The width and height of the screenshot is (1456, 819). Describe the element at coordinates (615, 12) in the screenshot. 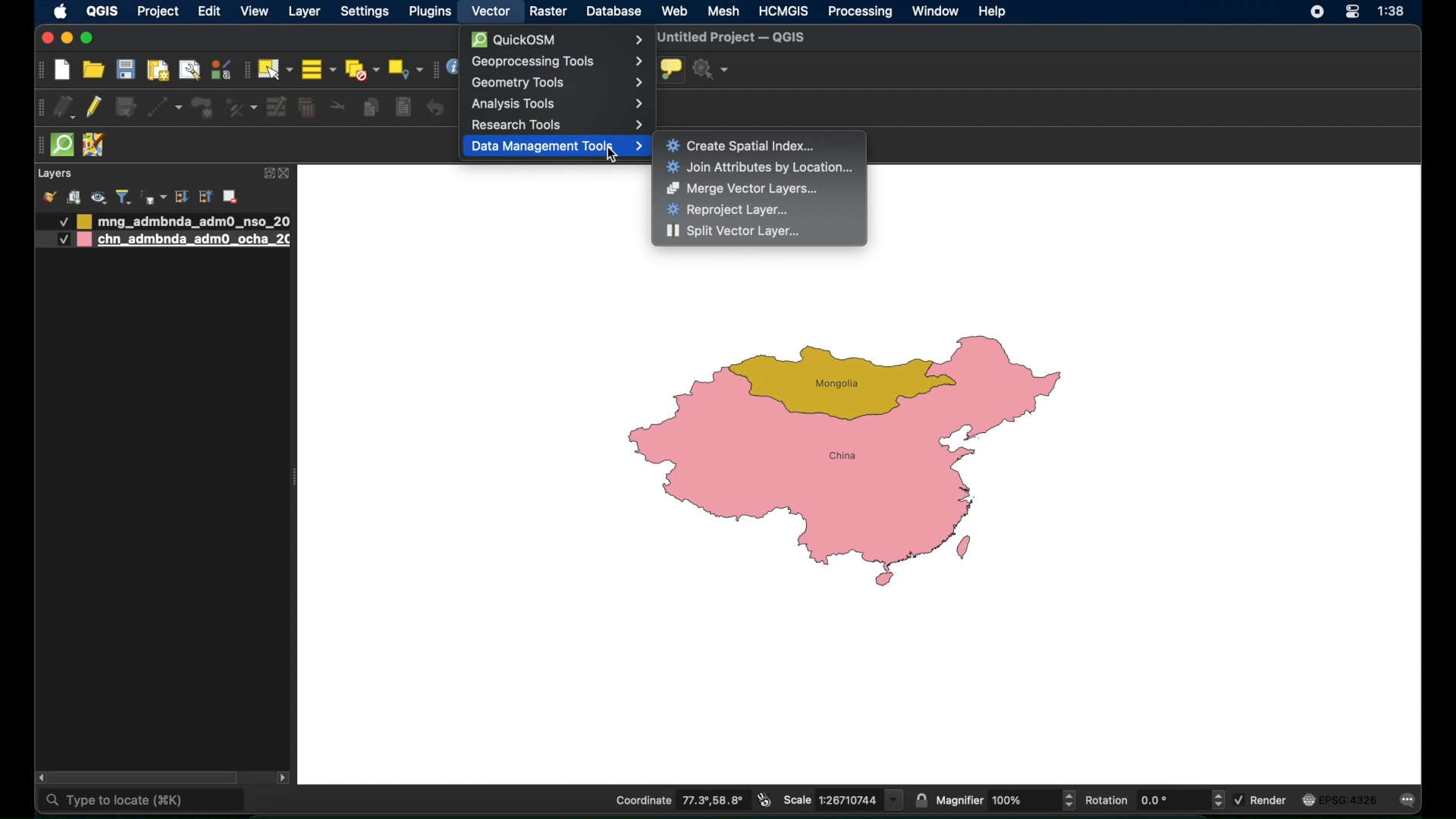

I see `database` at that location.